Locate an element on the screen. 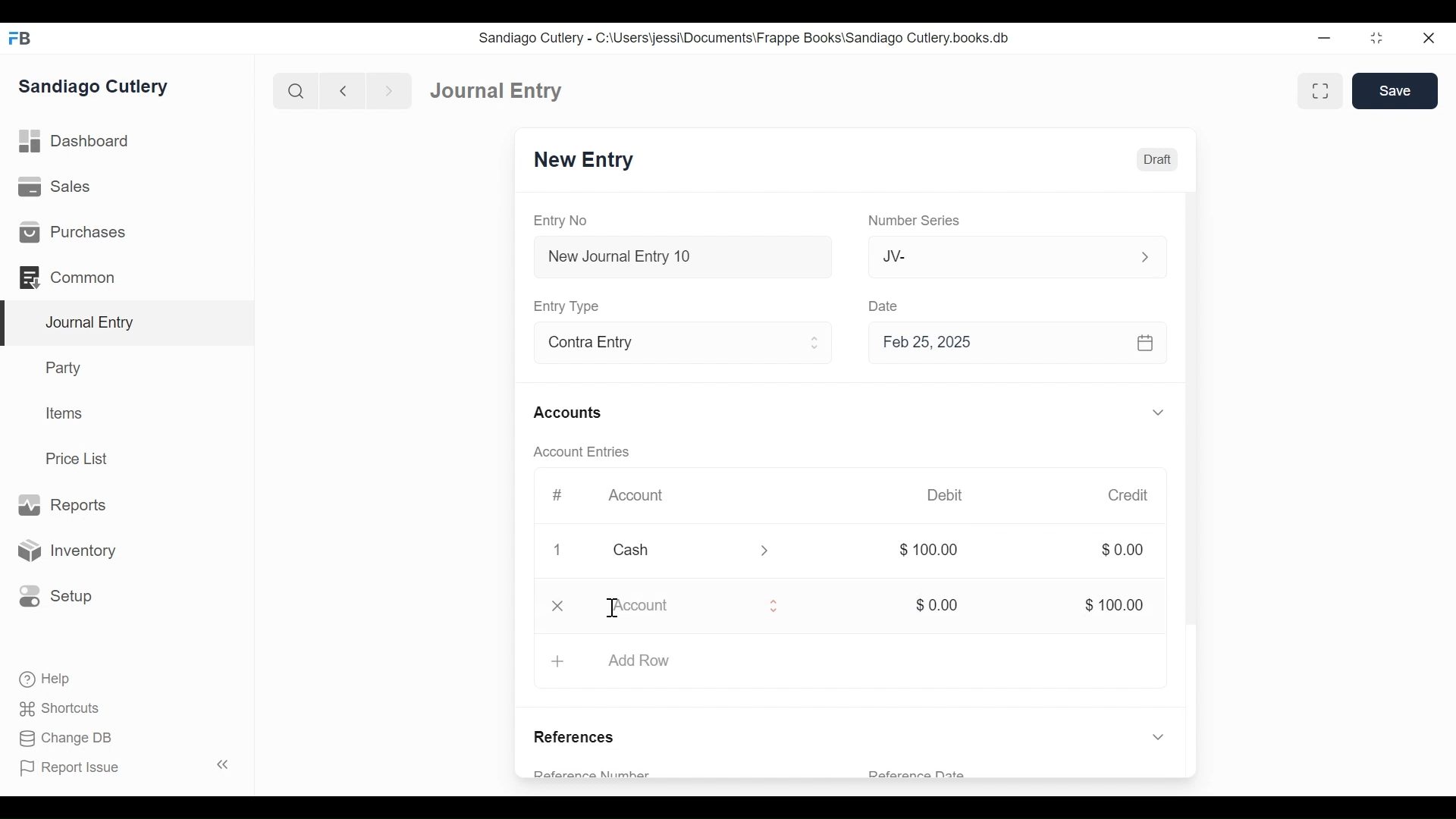 This screenshot has height=819, width=1456. Sandiago Cutlery is located at coordinates (94, 87).